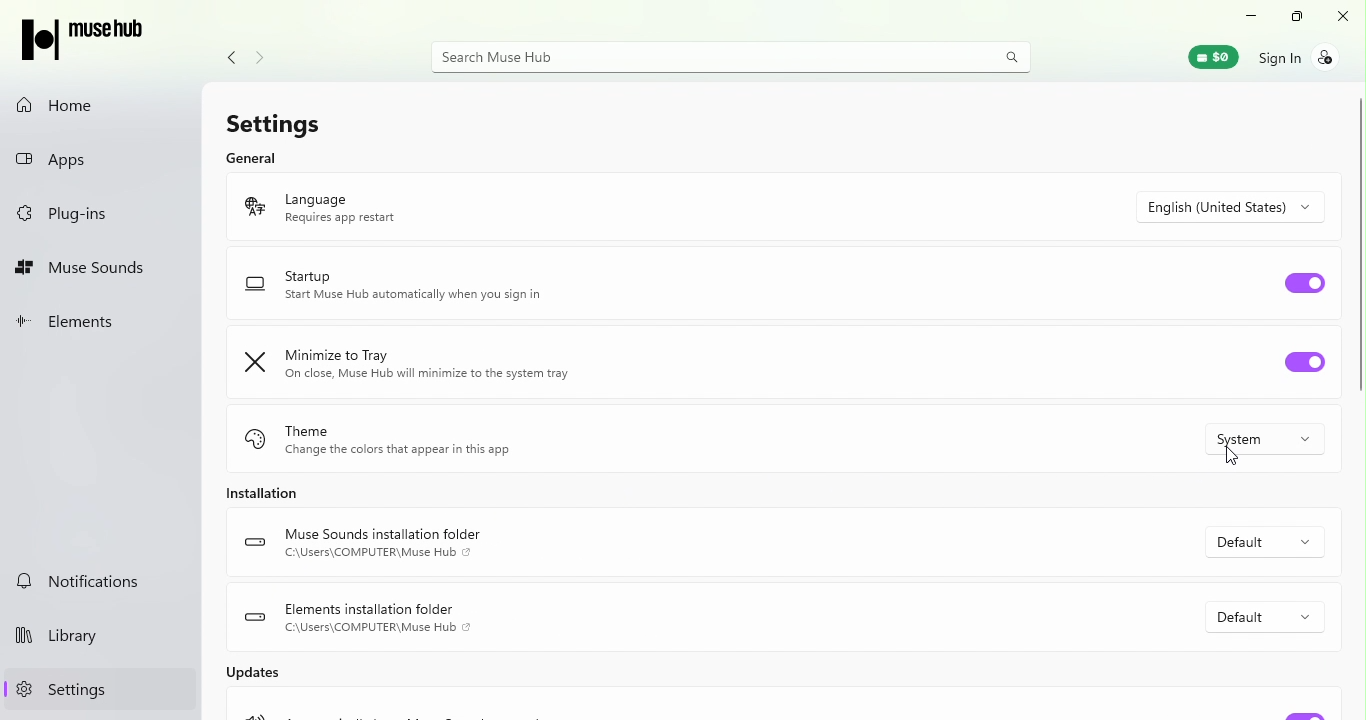  What do you see at coordinates (257, 158) in the screenshot?
I see `General` at bounding box center [257, 158].